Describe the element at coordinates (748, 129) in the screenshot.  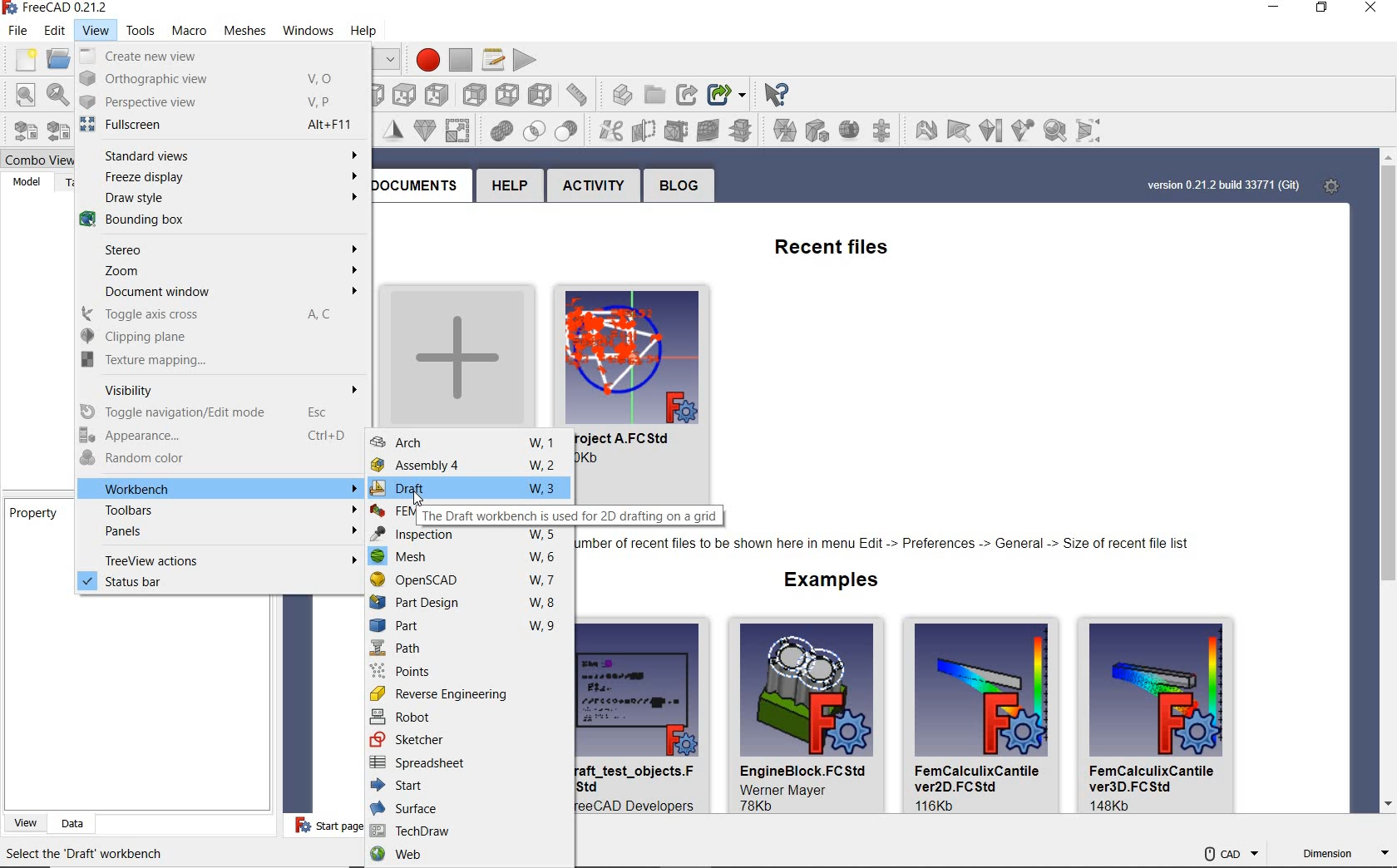
I see `merge` at that location.